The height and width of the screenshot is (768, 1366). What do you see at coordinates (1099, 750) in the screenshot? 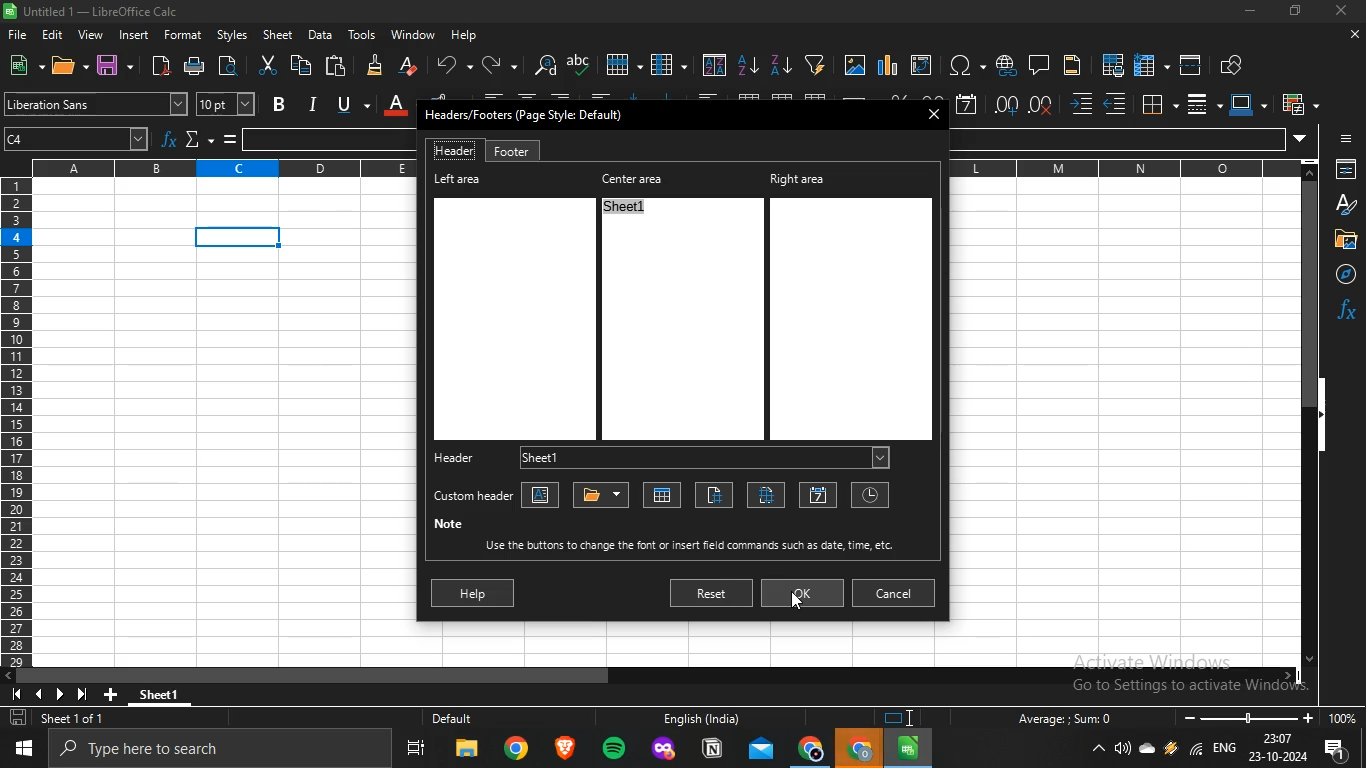
I see `show hidden icons` at bounding box center [1099, 750].